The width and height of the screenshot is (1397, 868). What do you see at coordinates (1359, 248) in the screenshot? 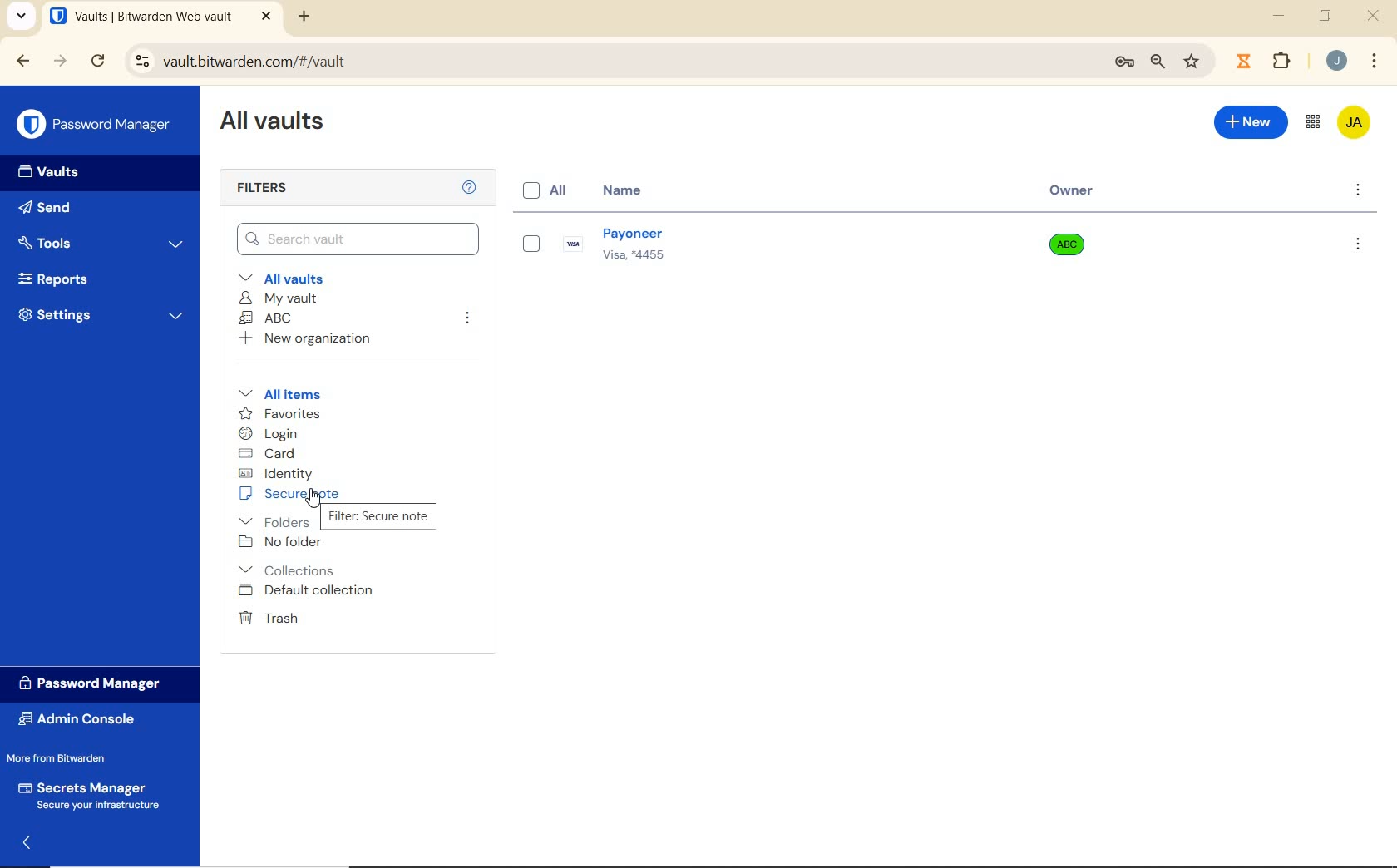
I see `options` at bounding box center [1359, 248].